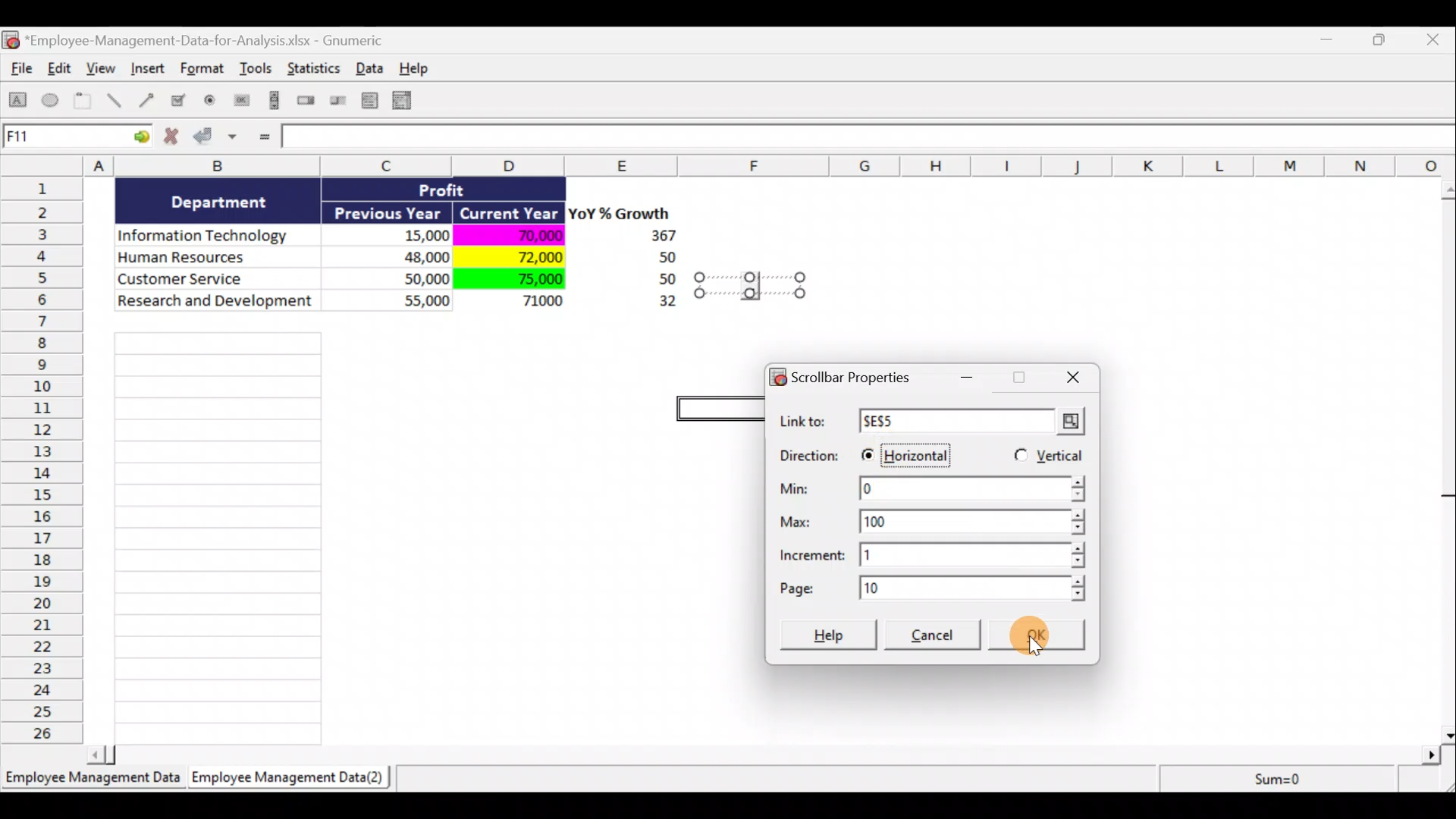 The height and width of the screenshot is (819, 1456). What do you see at coordinates (307, 102) in the screenshot?
I see `Create a spin button` at bounding box center [307, 102].